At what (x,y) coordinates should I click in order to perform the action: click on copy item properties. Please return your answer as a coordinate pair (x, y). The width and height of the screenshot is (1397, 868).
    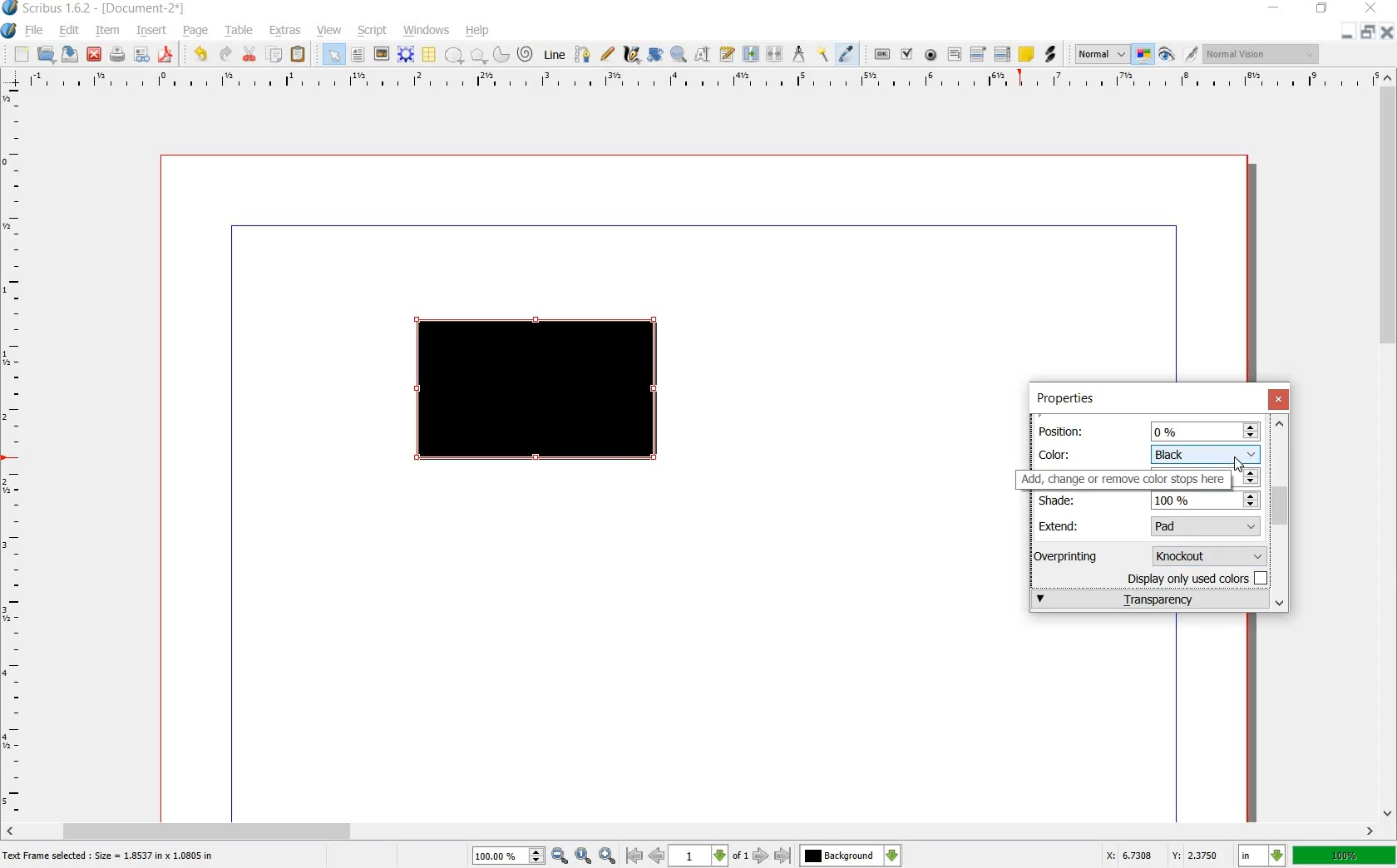
    Looking at the image, I should click on (824, 53).